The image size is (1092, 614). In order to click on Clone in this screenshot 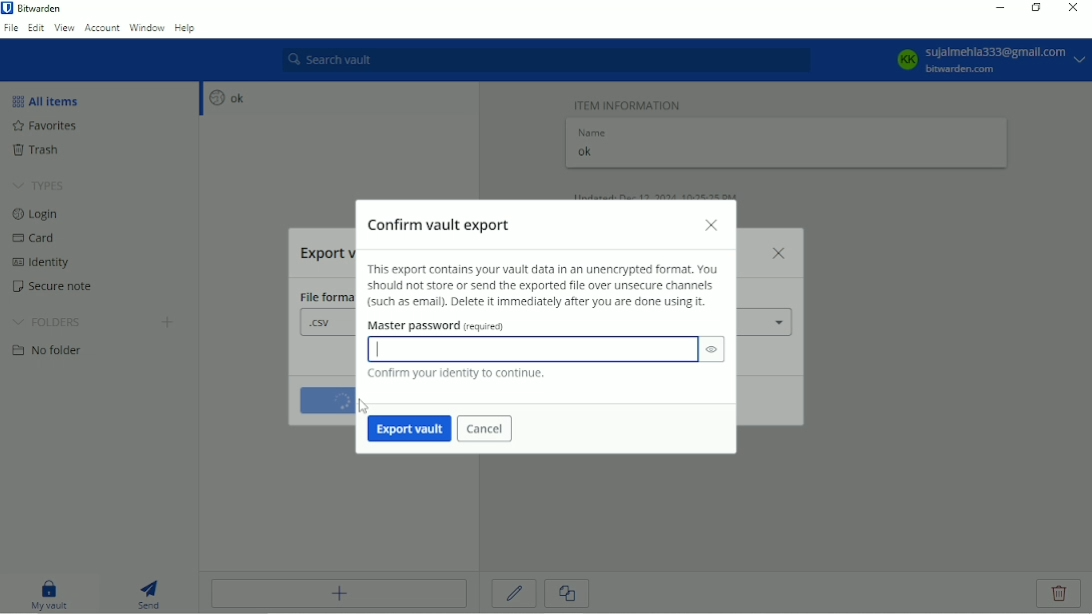, I will do `click(566, 594)`.